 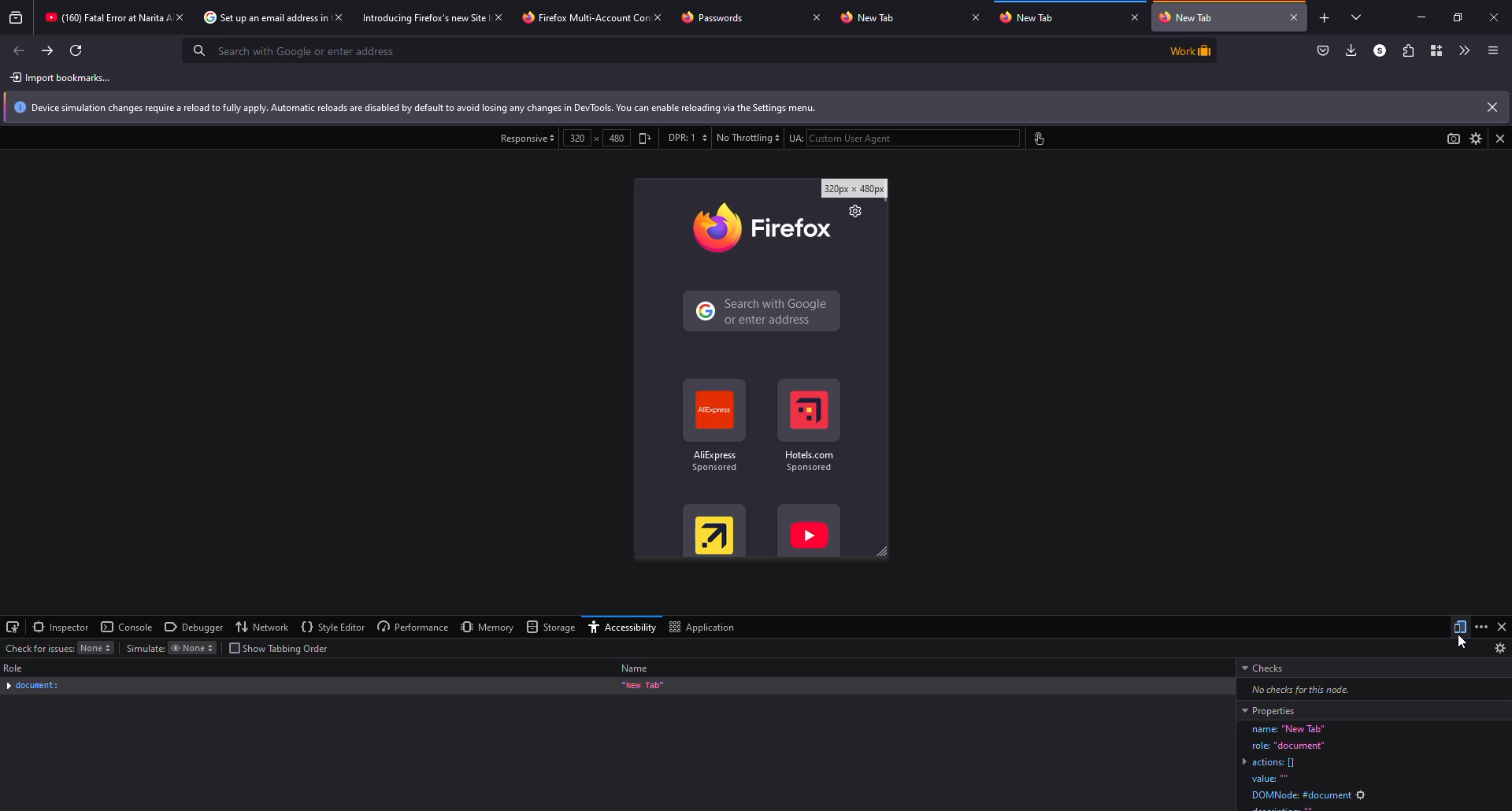 I want to click on Cursor, so click(x=1466, y=641).